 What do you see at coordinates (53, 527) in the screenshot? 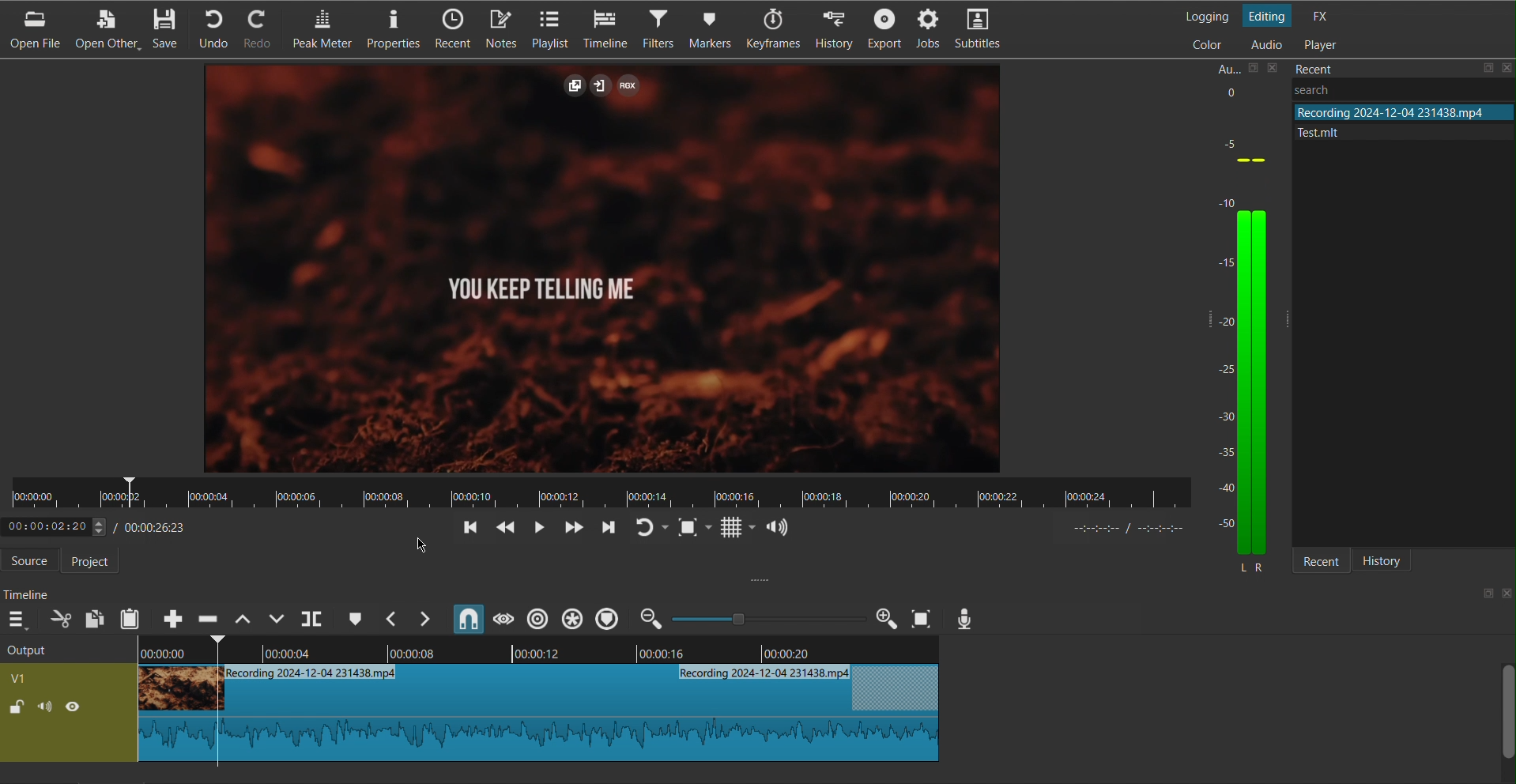
I see `elapsed time` at bounding box center [53, 527].